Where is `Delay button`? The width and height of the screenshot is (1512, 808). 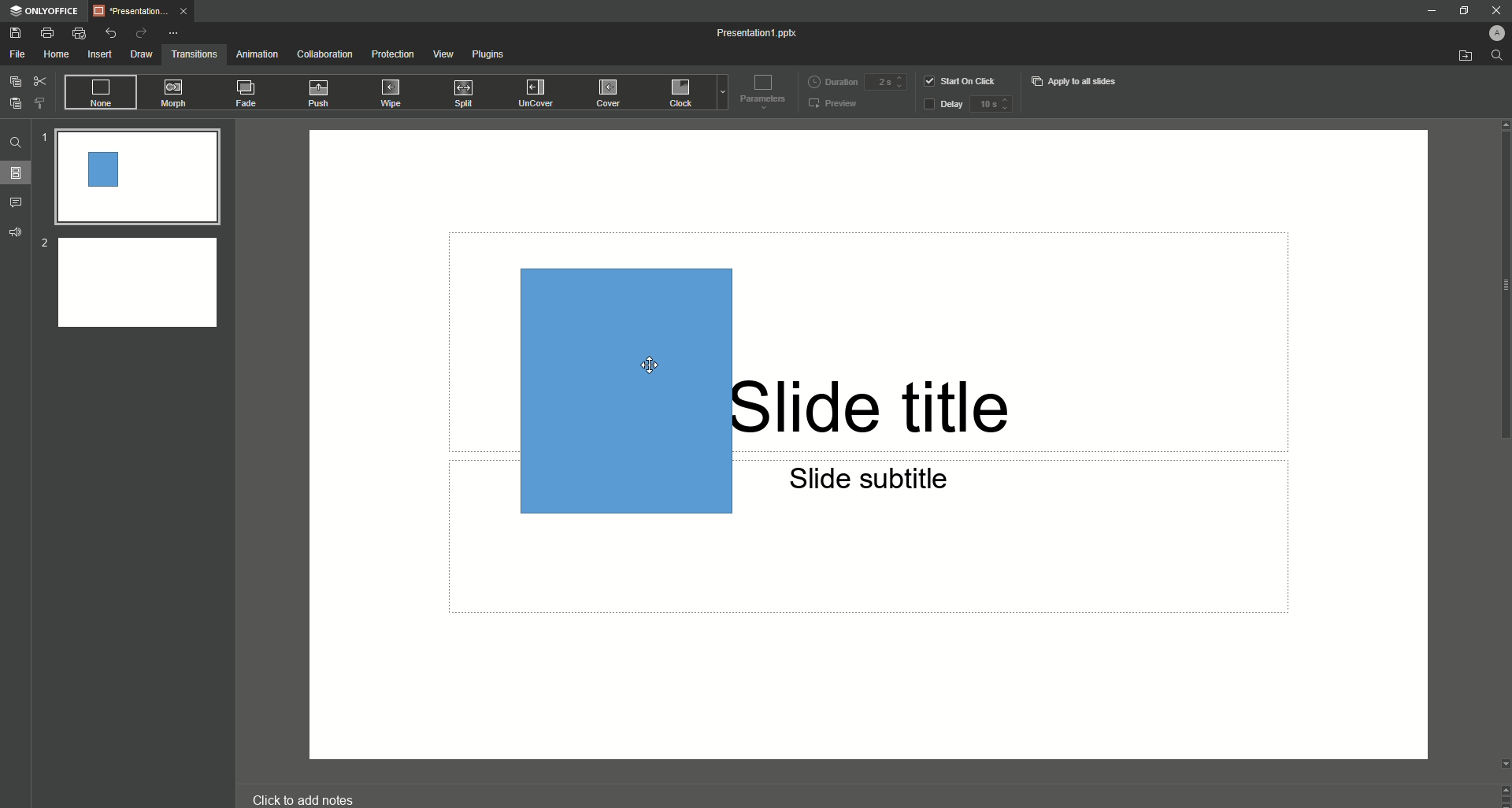 Delay button is located at coordinates (940, 106).